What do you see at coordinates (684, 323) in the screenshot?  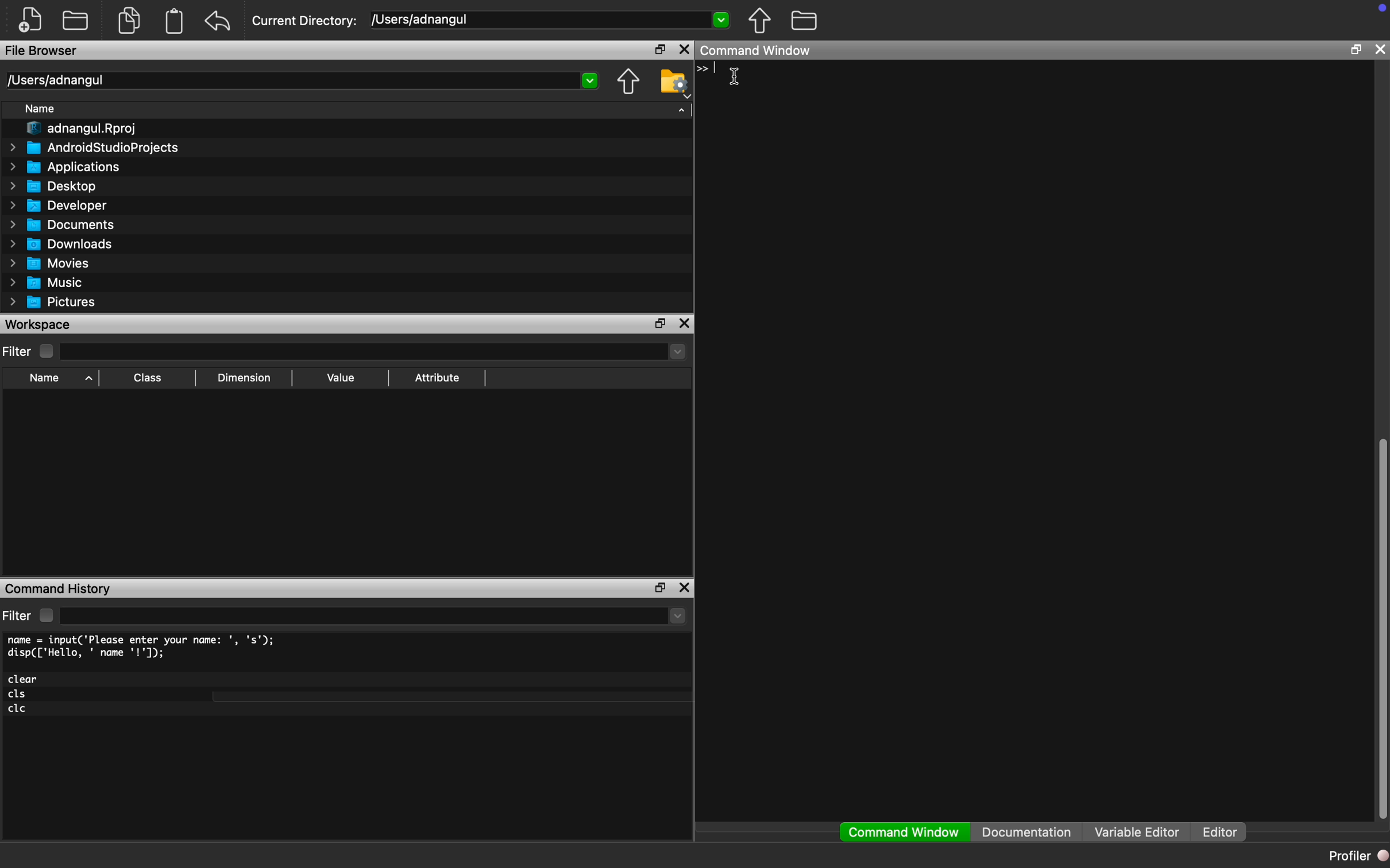 I see `close` at bounding box center [684, 323].